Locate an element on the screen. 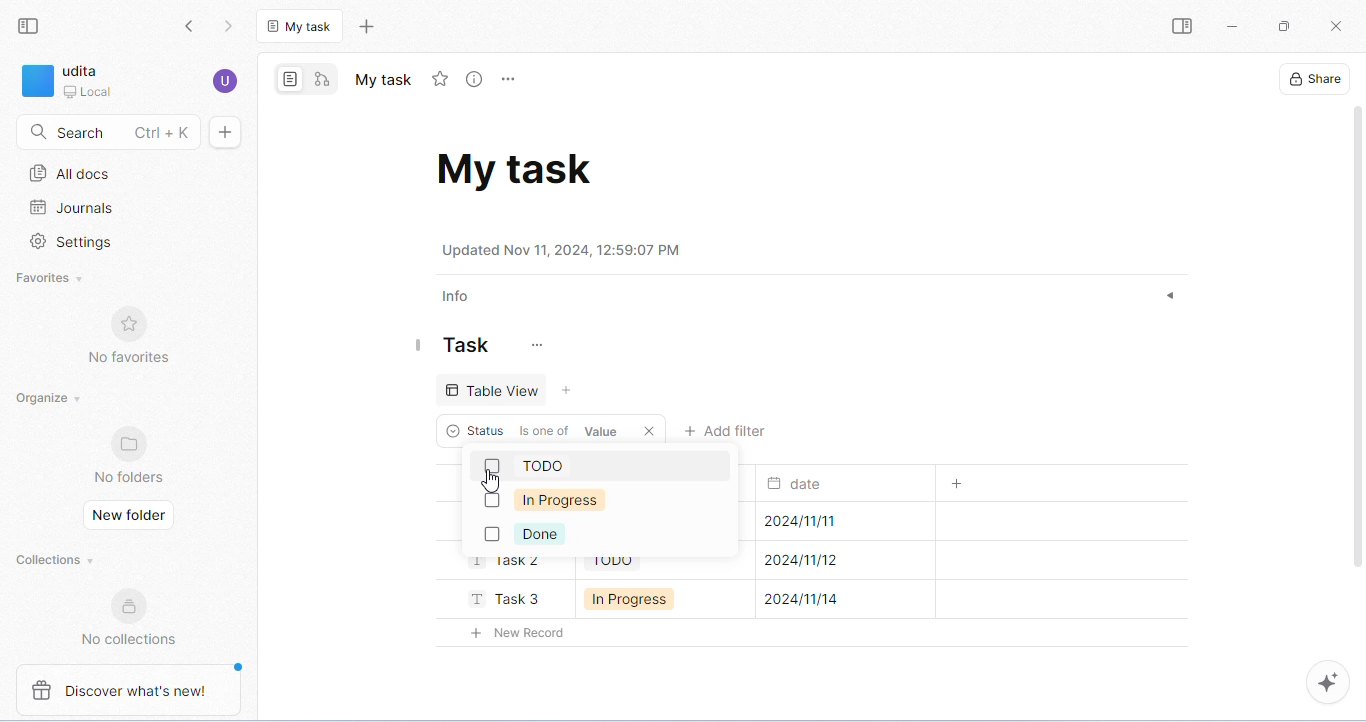 The image size is (1366, 722). value is located at coordinates (601, 431).